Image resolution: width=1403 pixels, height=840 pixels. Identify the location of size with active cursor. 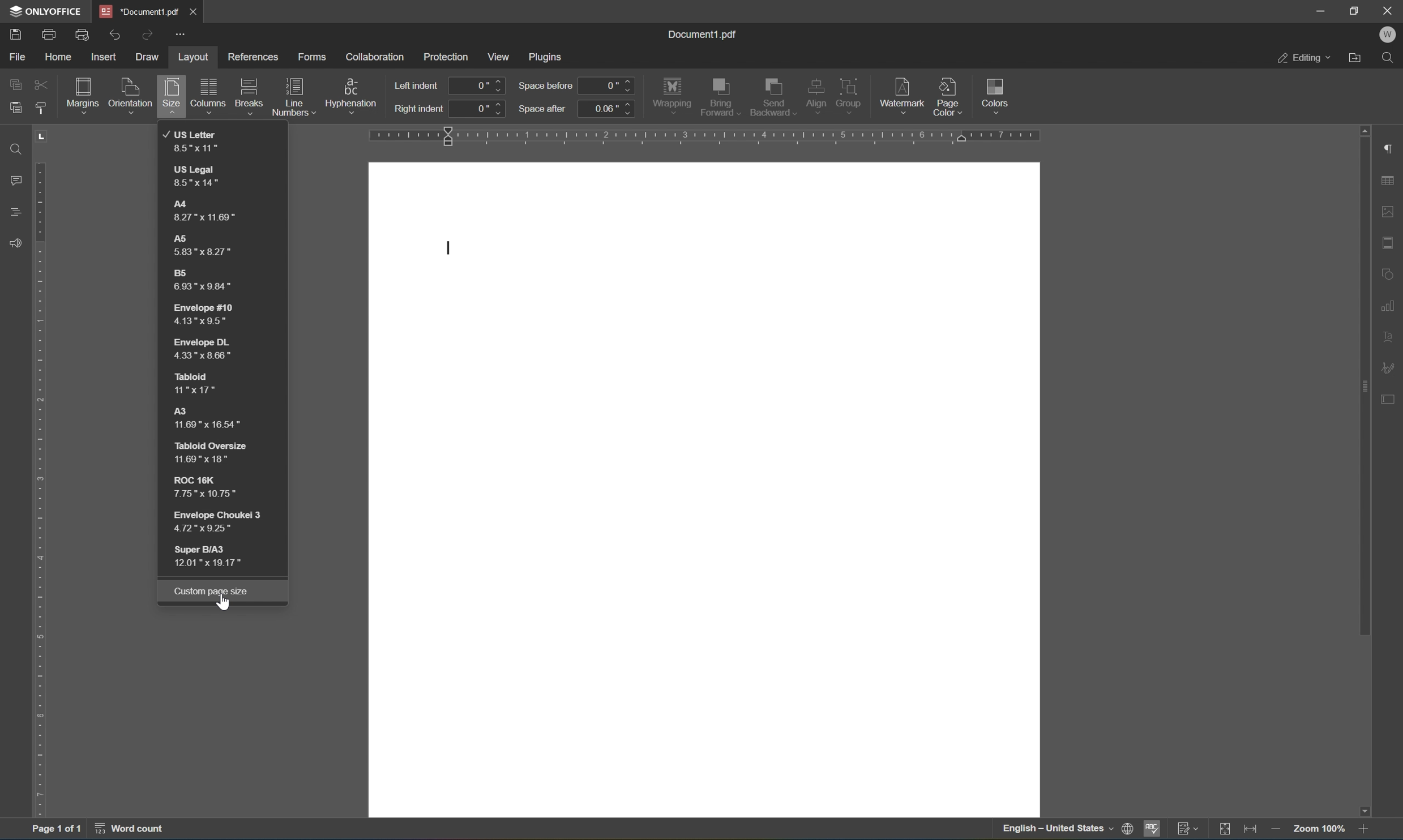
(171, 98).